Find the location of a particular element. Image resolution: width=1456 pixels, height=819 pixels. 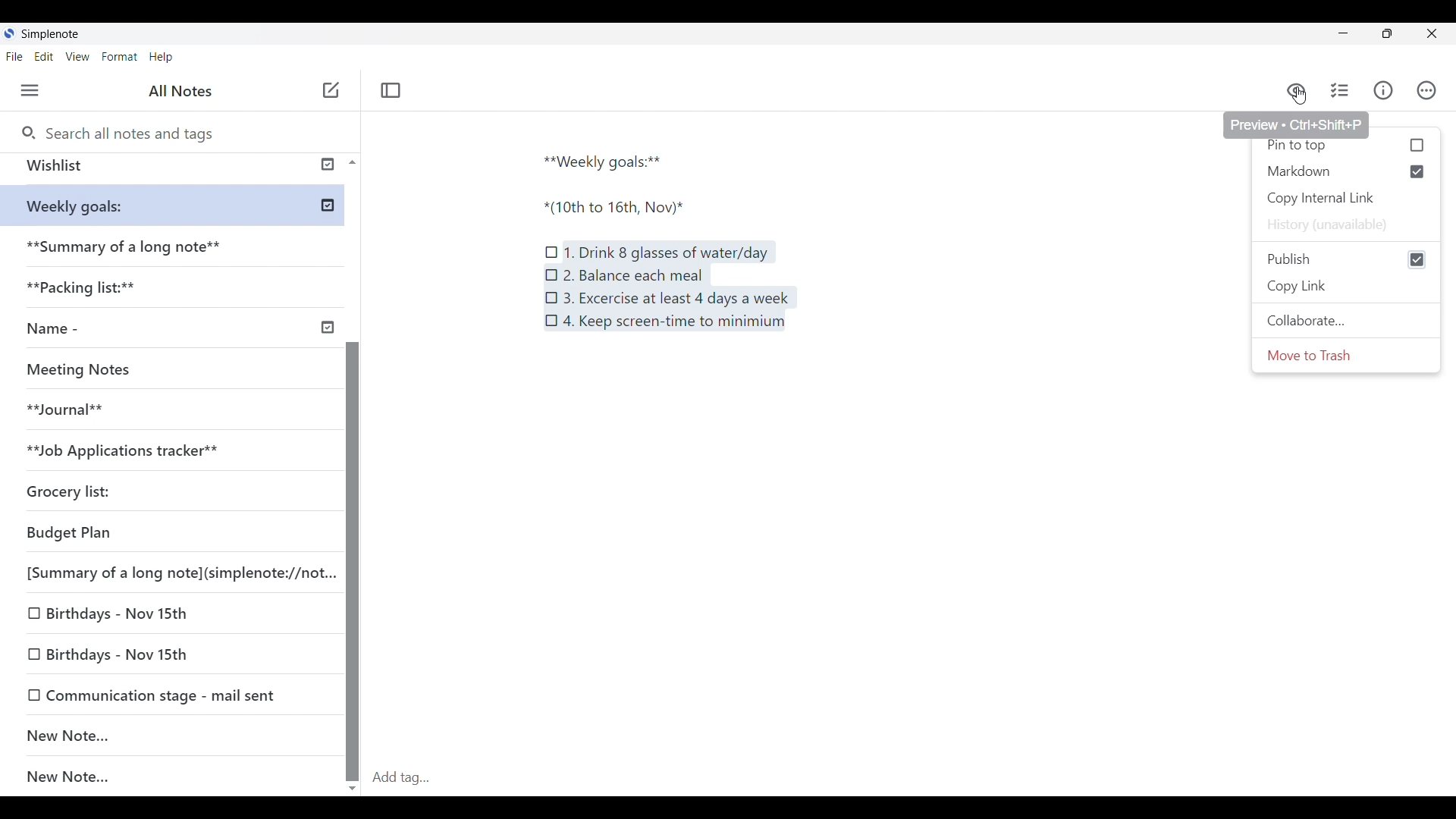

**Summary of a long note** is located at coordinates (128, 249).